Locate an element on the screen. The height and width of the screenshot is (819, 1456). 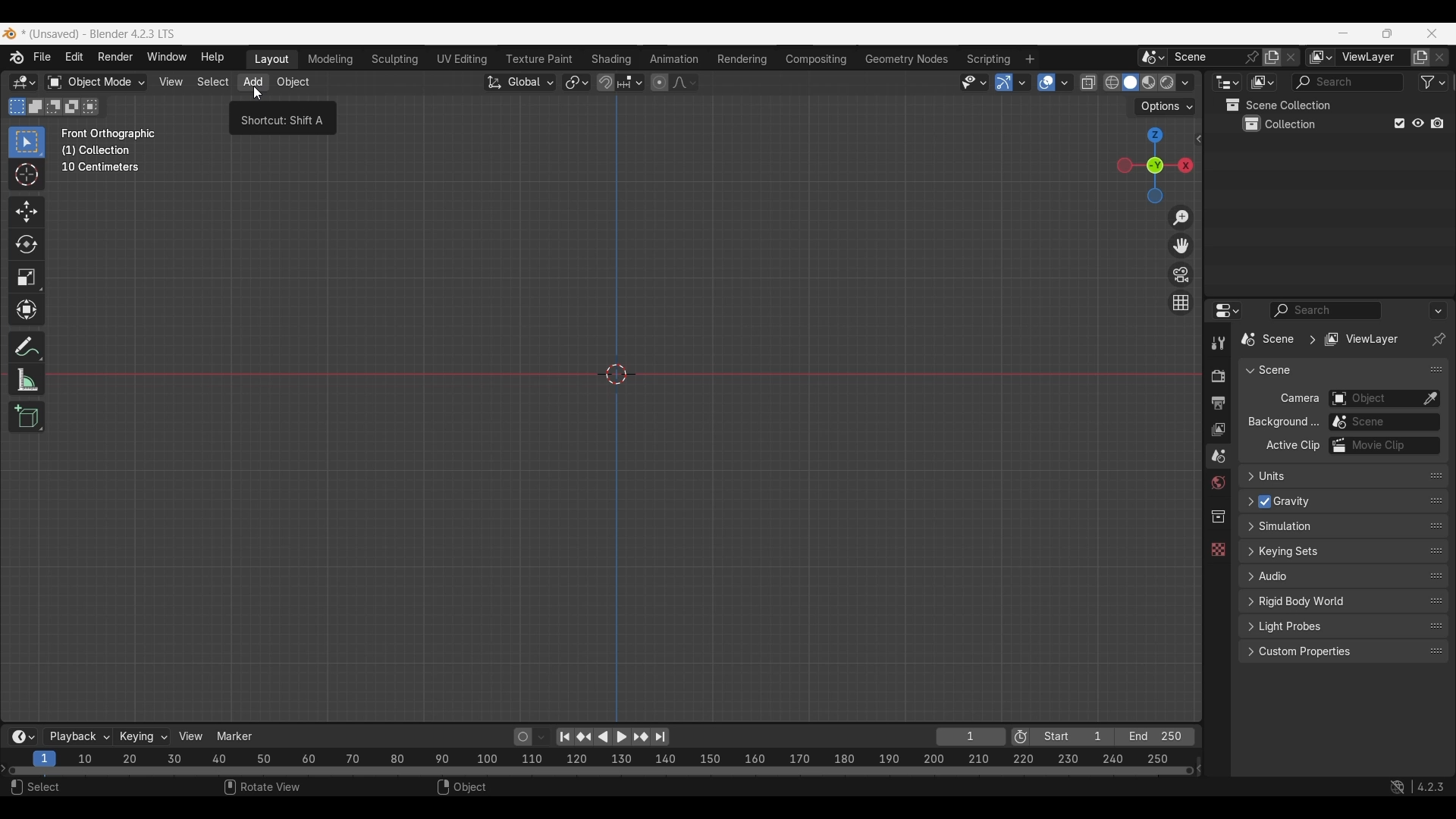
Editor type is located at coordinates (1227, 82).